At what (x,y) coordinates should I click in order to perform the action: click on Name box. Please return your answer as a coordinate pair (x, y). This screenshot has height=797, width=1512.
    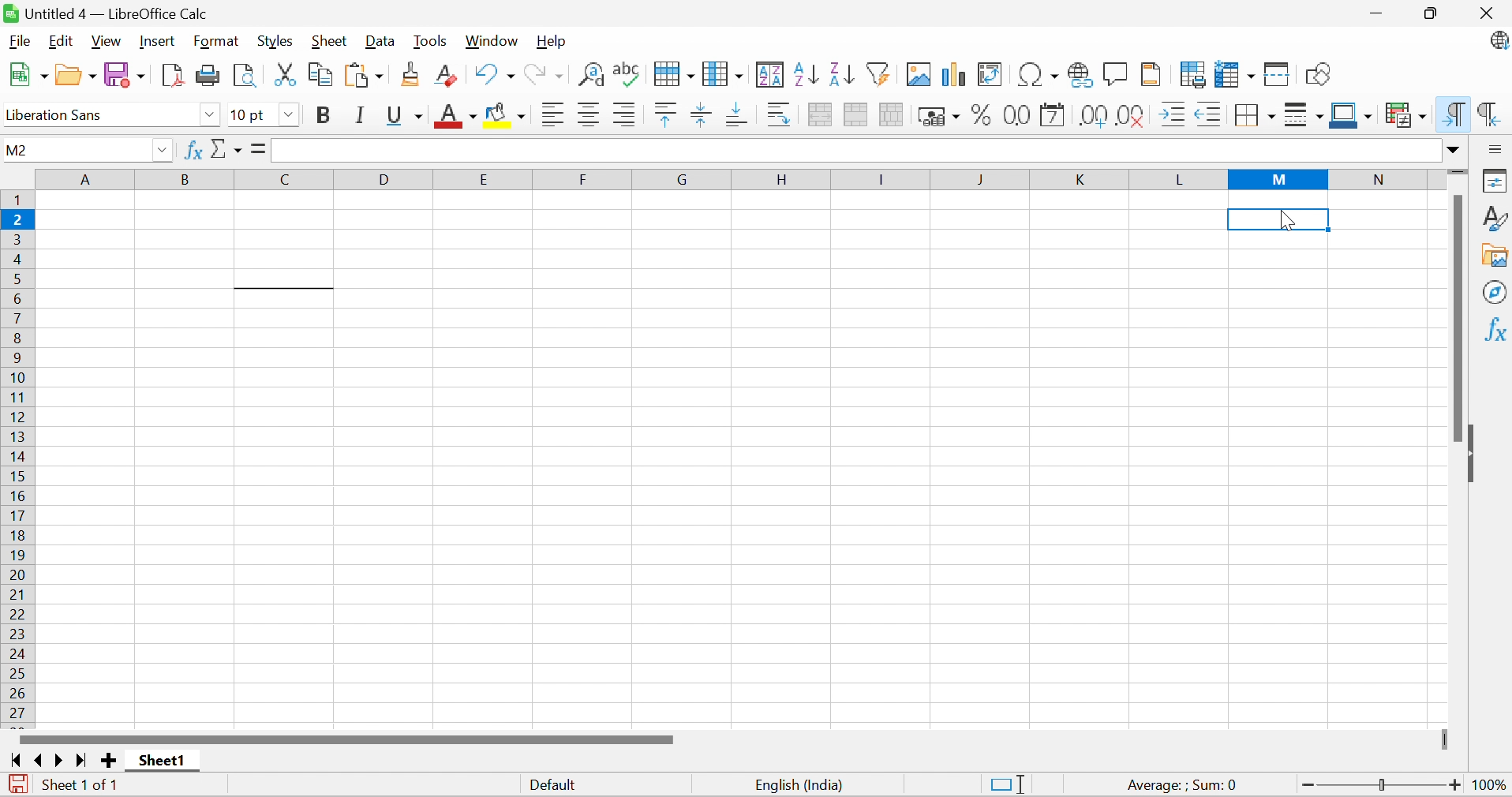
    Looking at the image, I should click on (74, 150).